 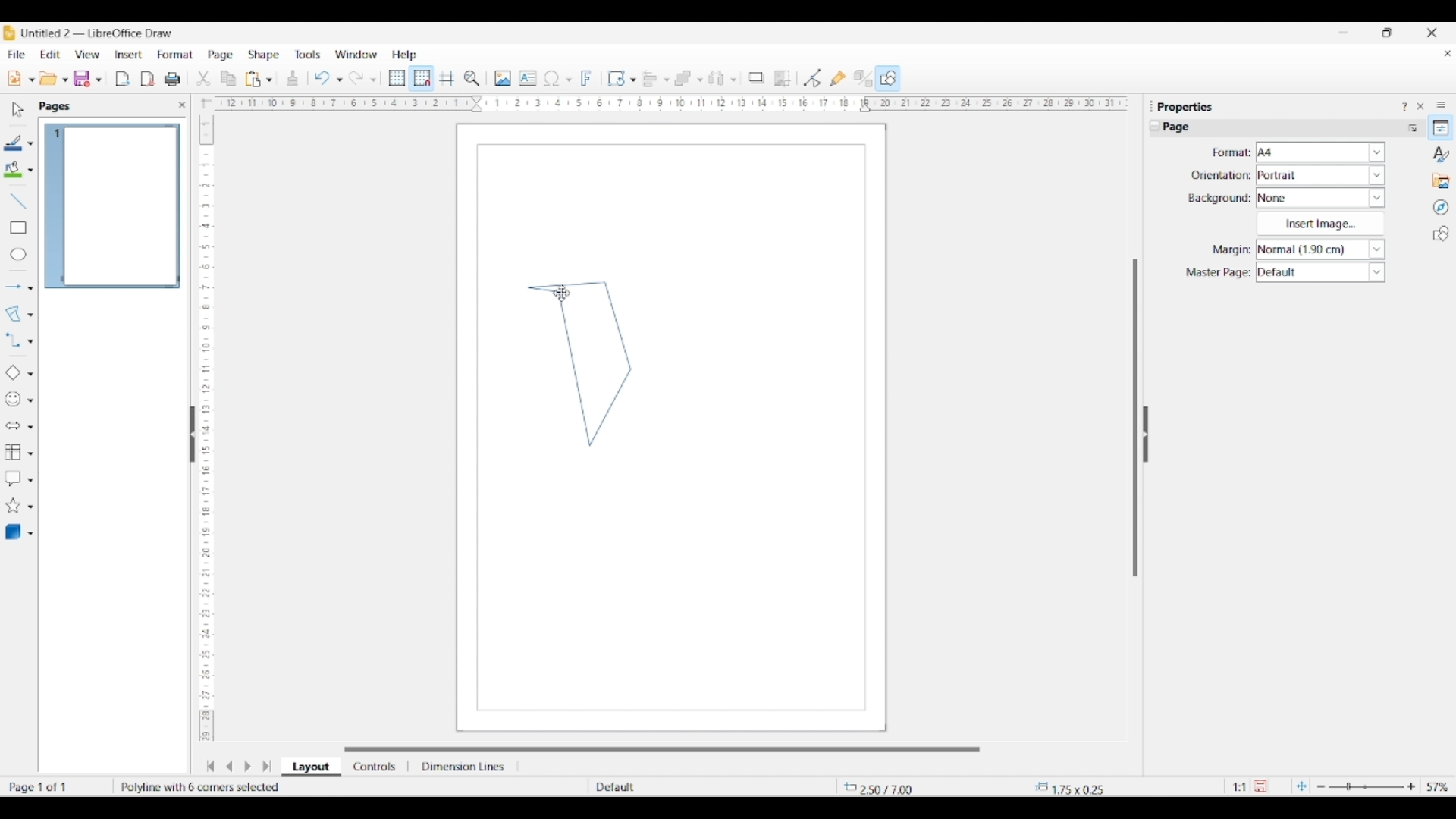 What do you see at coordinates (203, 79) in the screenshot?
I see `Selected copy options` at bounding box center [203, 79].